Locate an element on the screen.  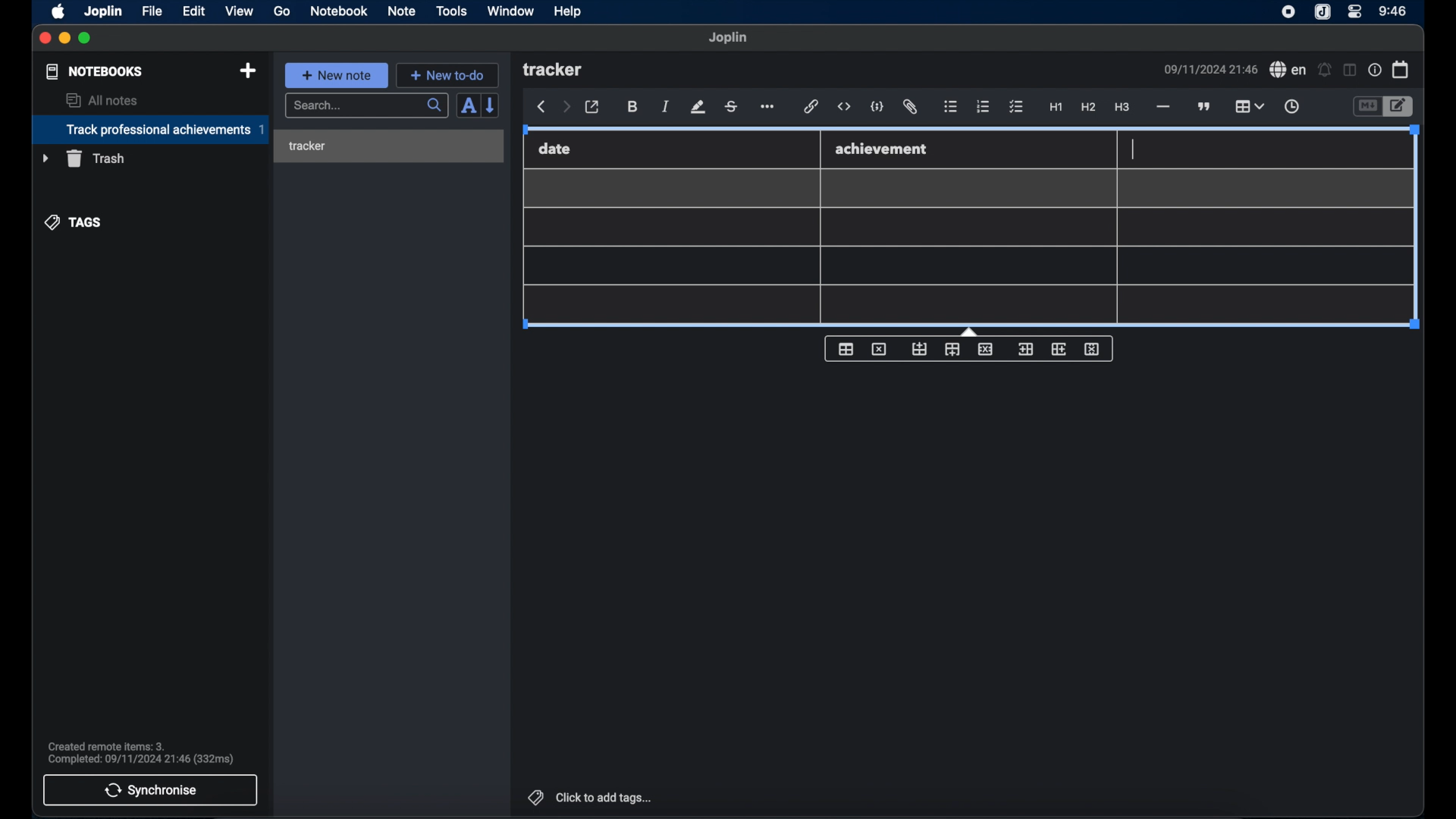
file is located at coordinates (152, 11).